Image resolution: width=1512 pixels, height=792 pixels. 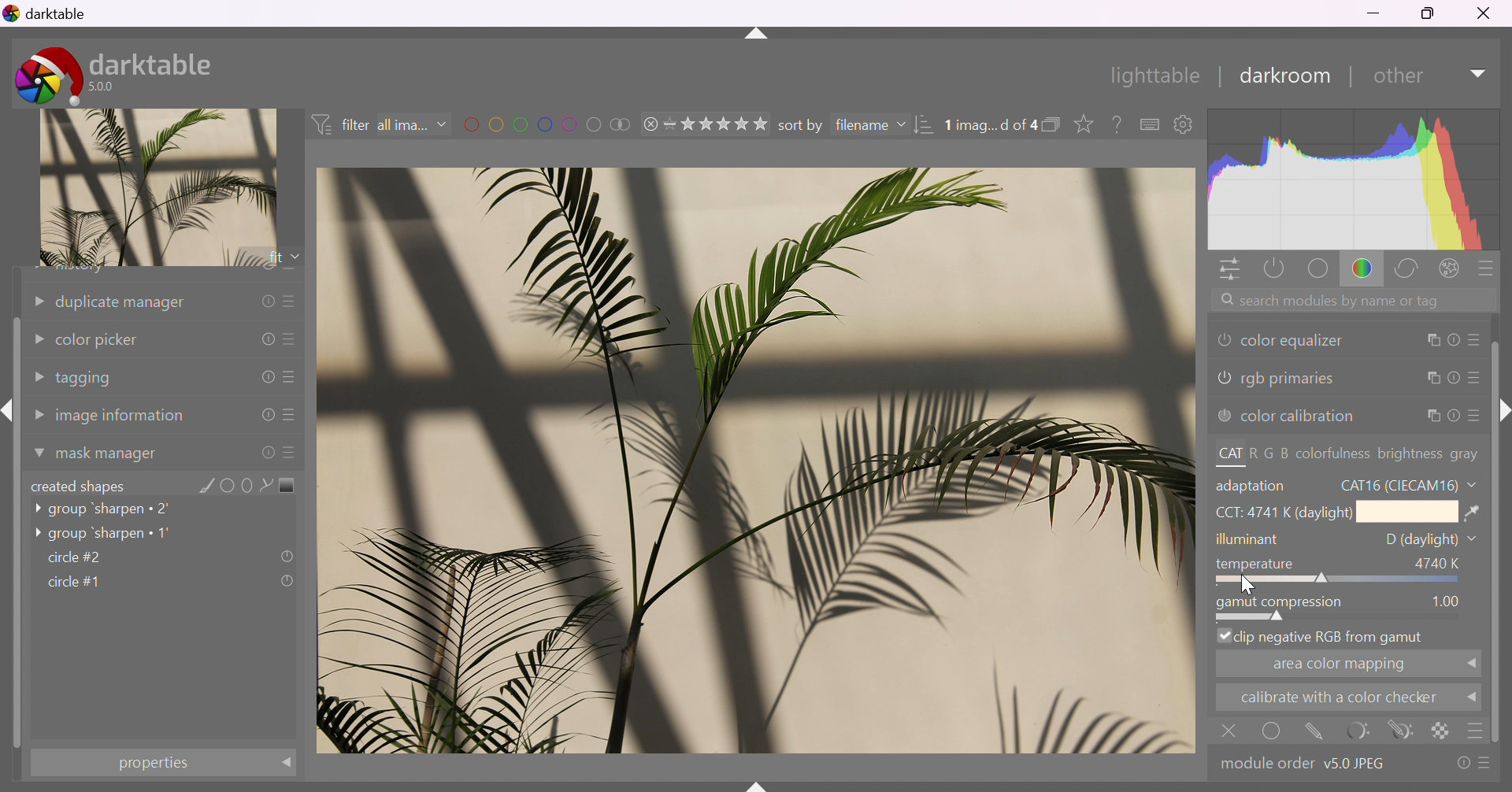 I want to click on rgb primaries, so click(x=1346, y=377).